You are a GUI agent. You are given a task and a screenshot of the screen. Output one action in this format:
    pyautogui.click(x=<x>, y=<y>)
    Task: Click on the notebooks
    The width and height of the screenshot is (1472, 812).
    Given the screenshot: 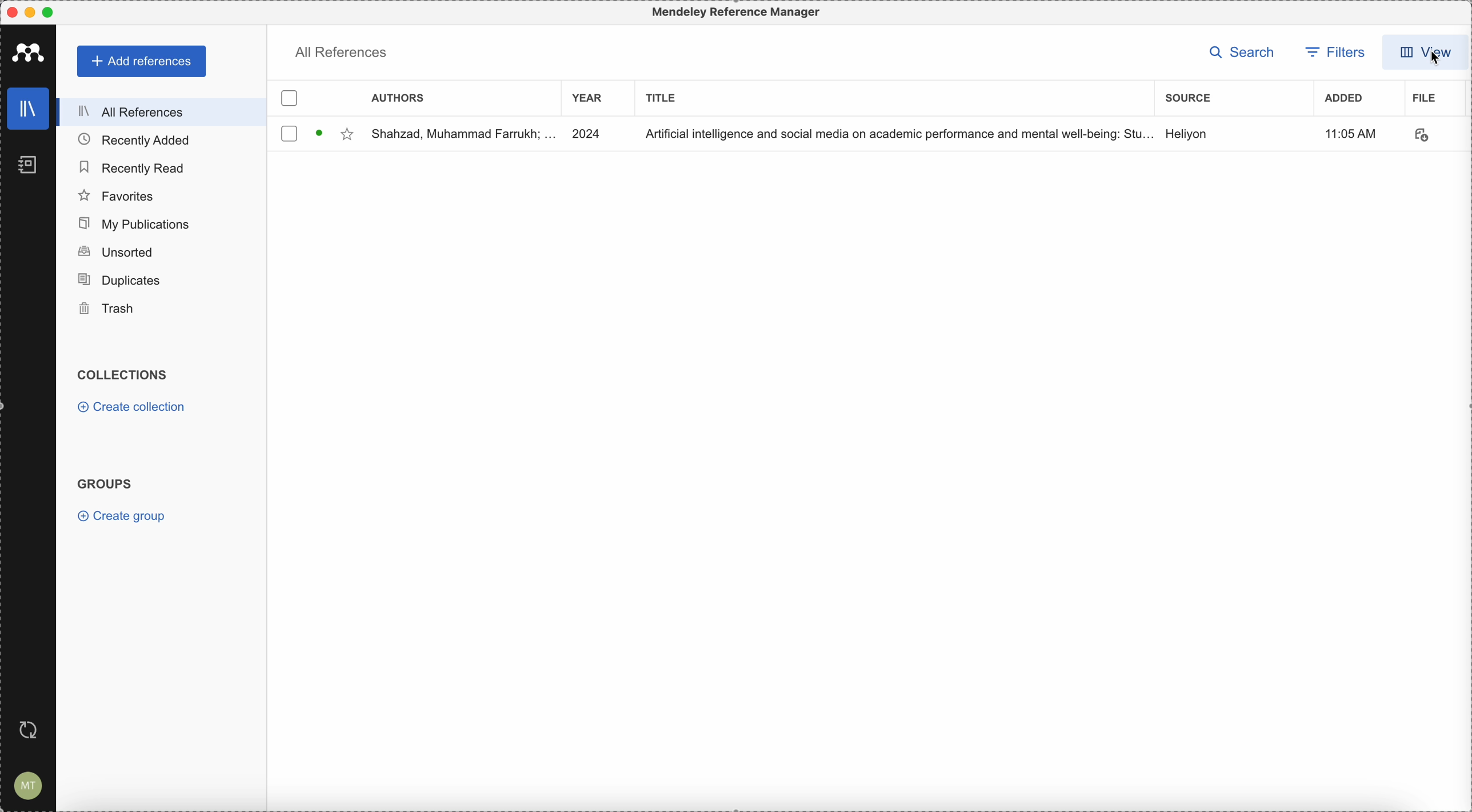 What is the action you would take?
    pyautogui.click(x=29, y=166)
    